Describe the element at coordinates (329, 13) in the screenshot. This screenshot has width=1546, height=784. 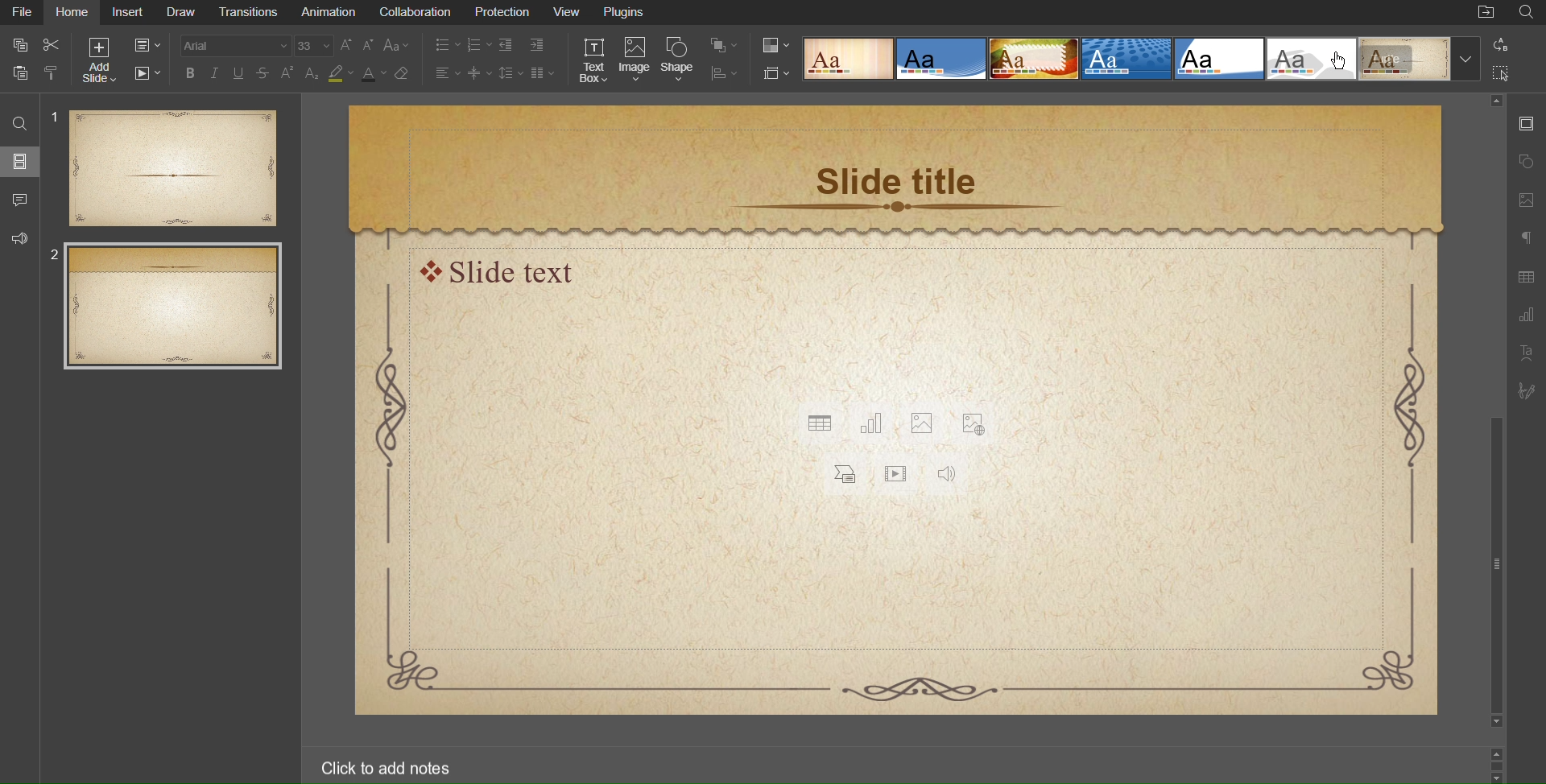
I see `Animation` at that location.